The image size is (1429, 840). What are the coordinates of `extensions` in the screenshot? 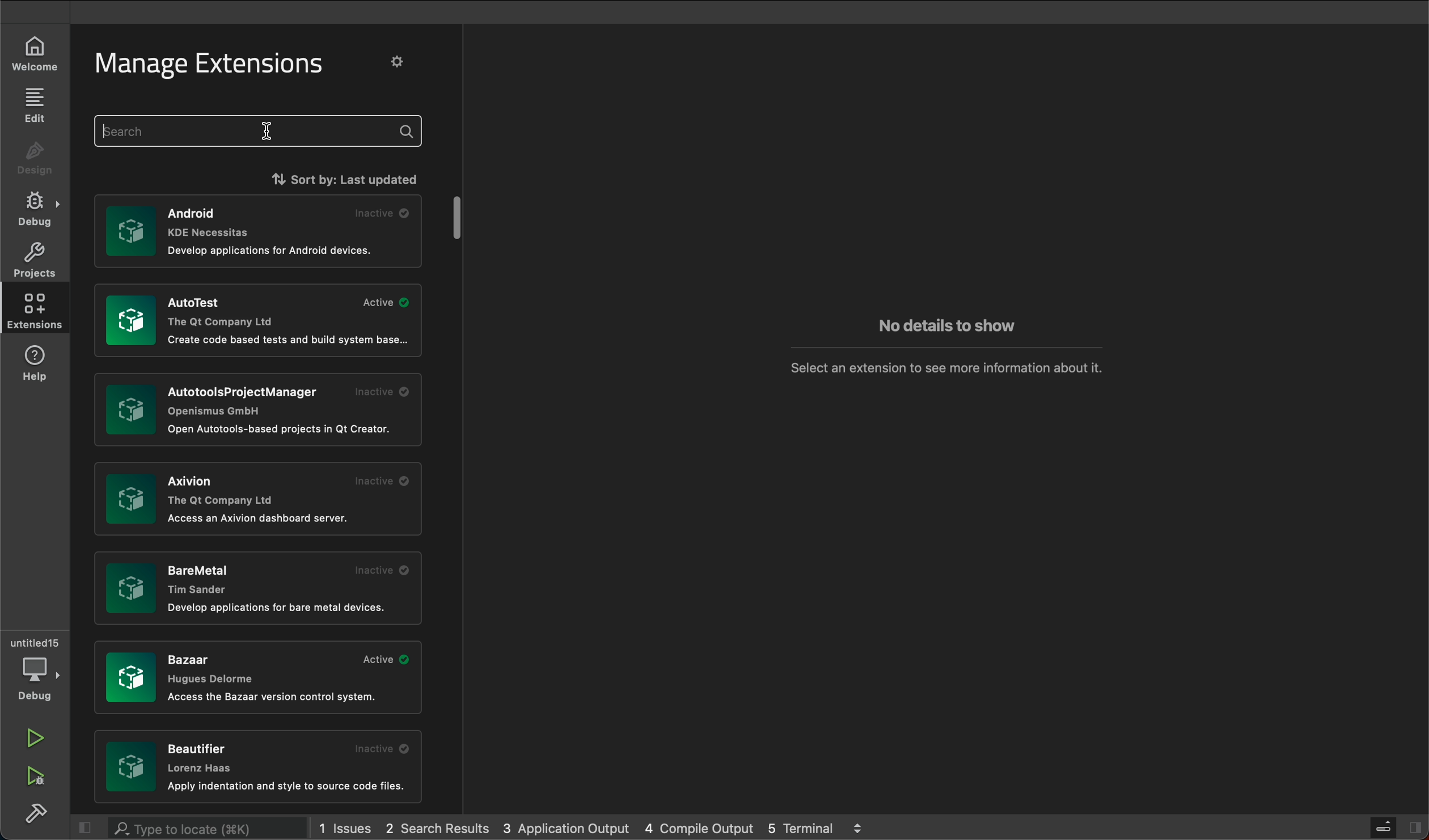 It's located at (32, 310).